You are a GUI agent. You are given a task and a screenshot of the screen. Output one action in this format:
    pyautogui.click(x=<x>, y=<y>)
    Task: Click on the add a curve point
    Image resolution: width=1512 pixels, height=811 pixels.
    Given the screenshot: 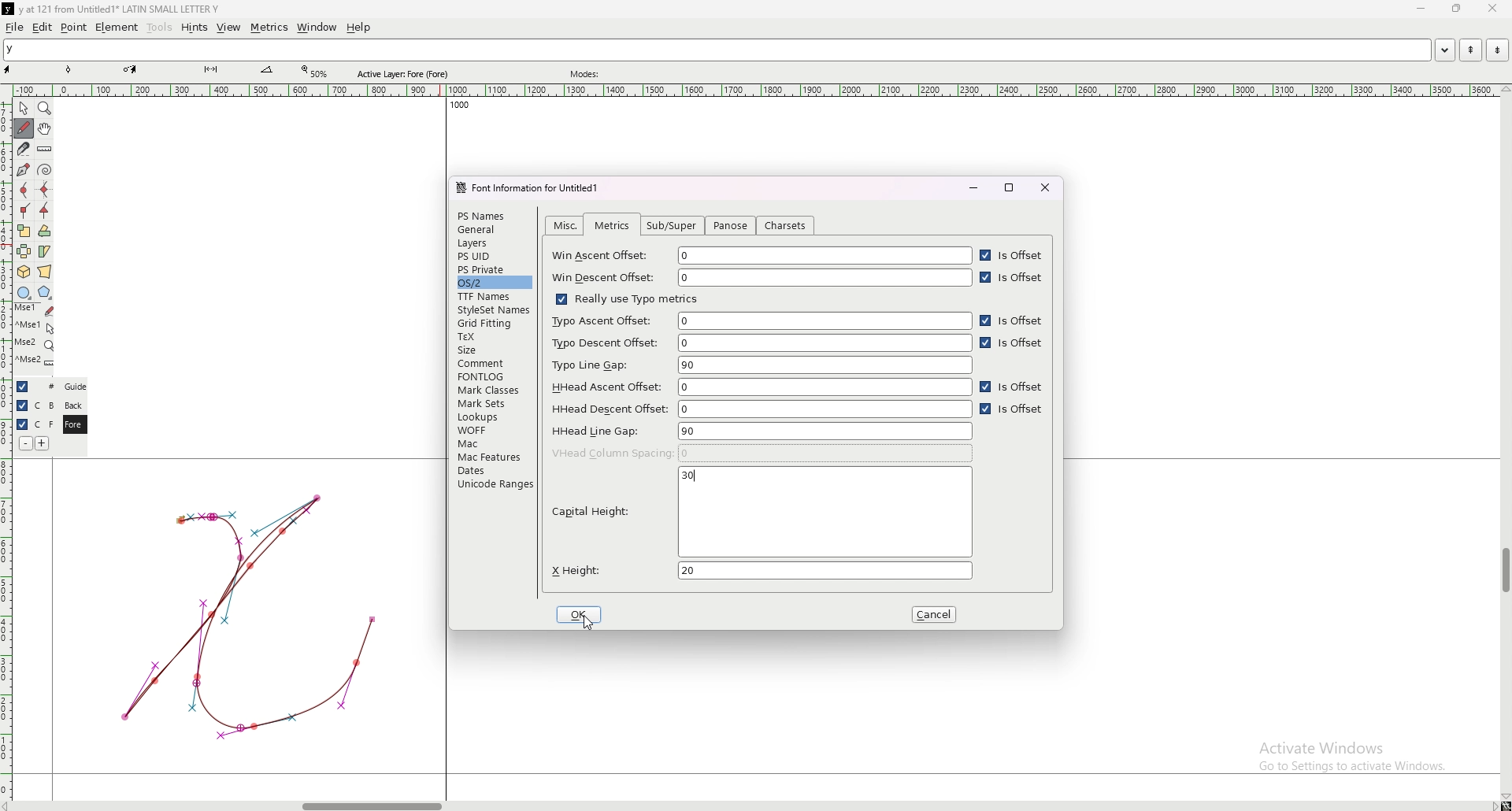 What is the action you would take?
    pyautogui.click(x=24, y=191)
    